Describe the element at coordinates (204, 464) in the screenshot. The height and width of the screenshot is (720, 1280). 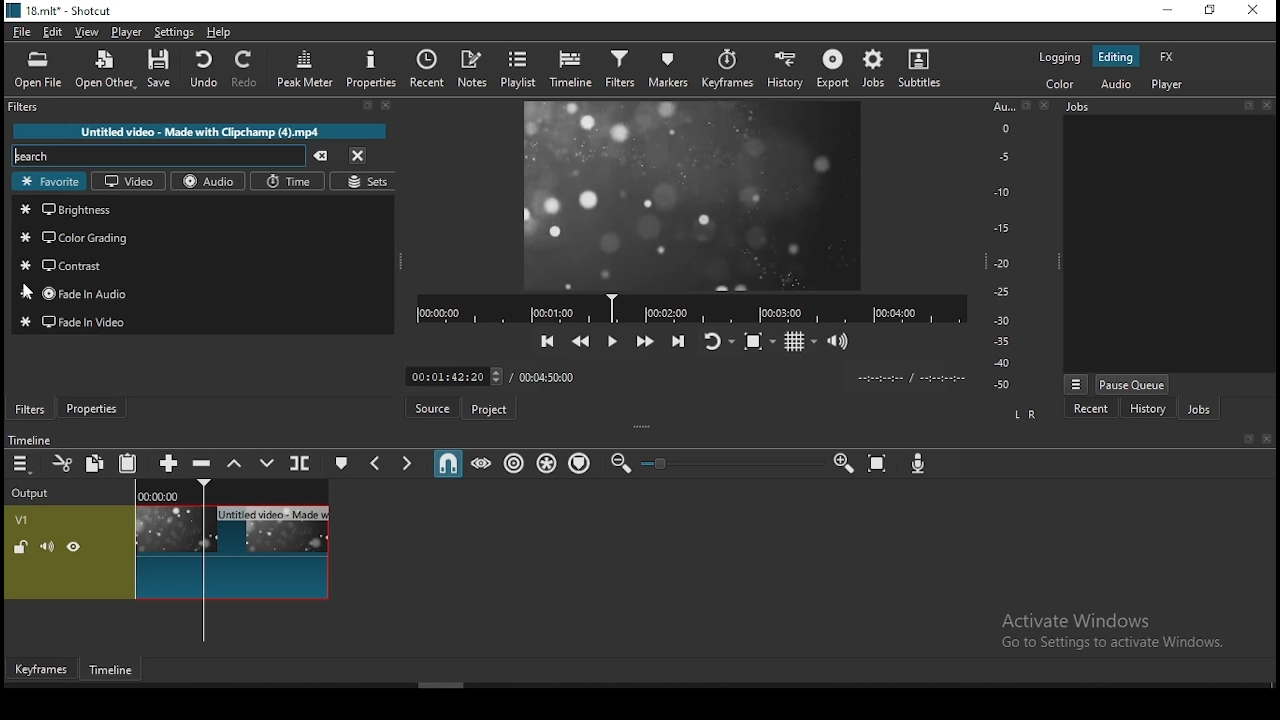
I see `ripple delete` at that location.